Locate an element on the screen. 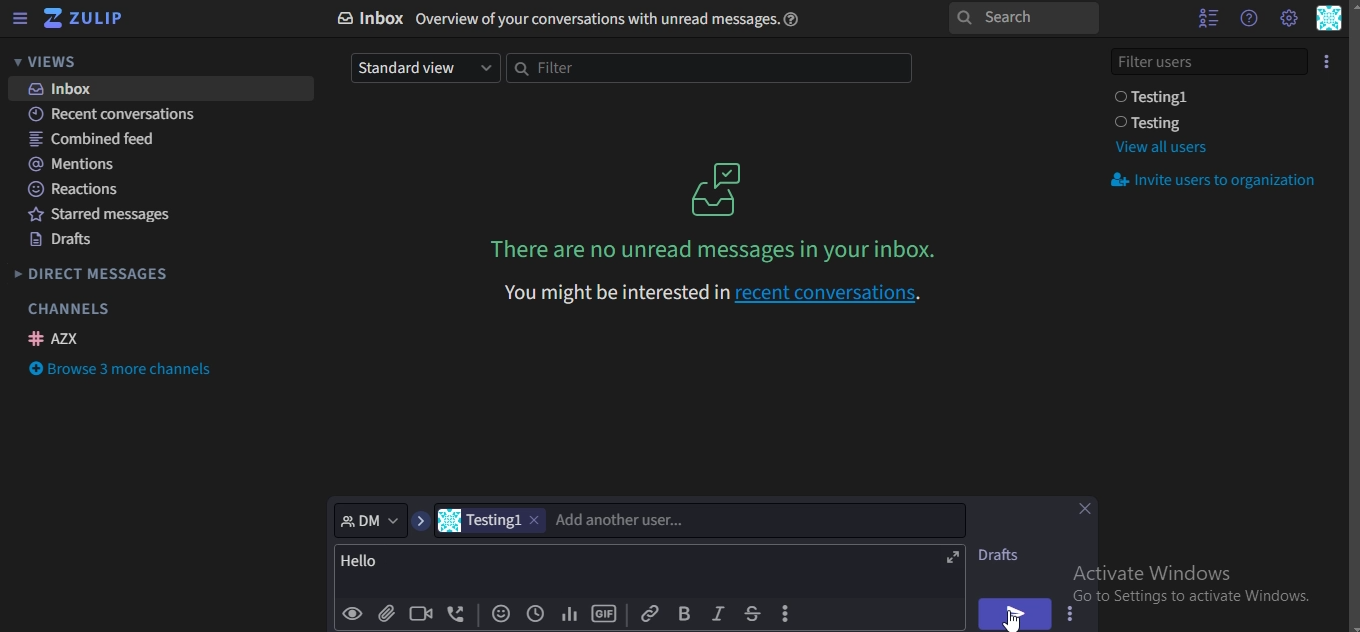  add another user.. is located at coordinates (622, 520).